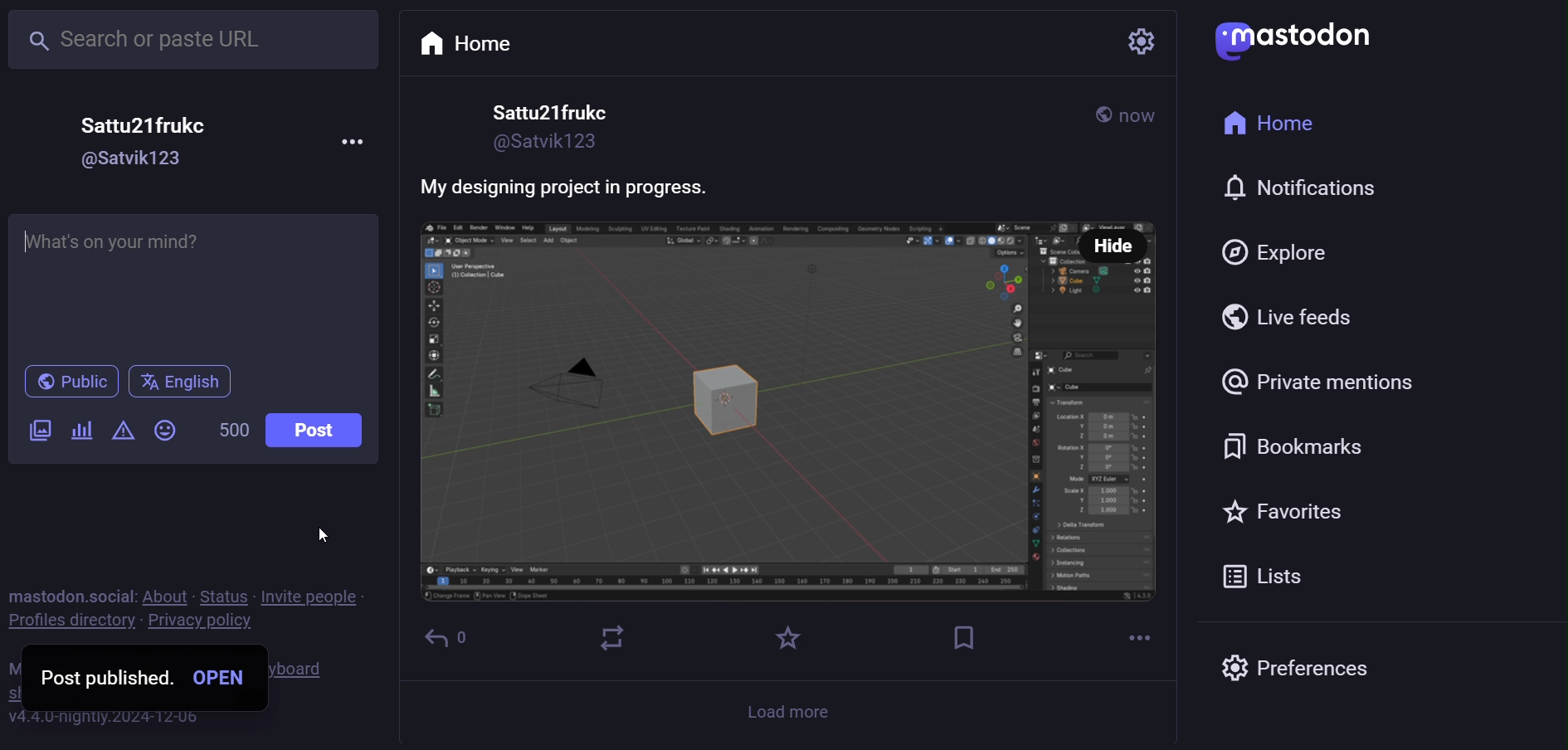 The width and height of the screenshot is (1568, 750). Describe the element at coordinates (567, 187) in the screenshot. I see `caption` at that location.